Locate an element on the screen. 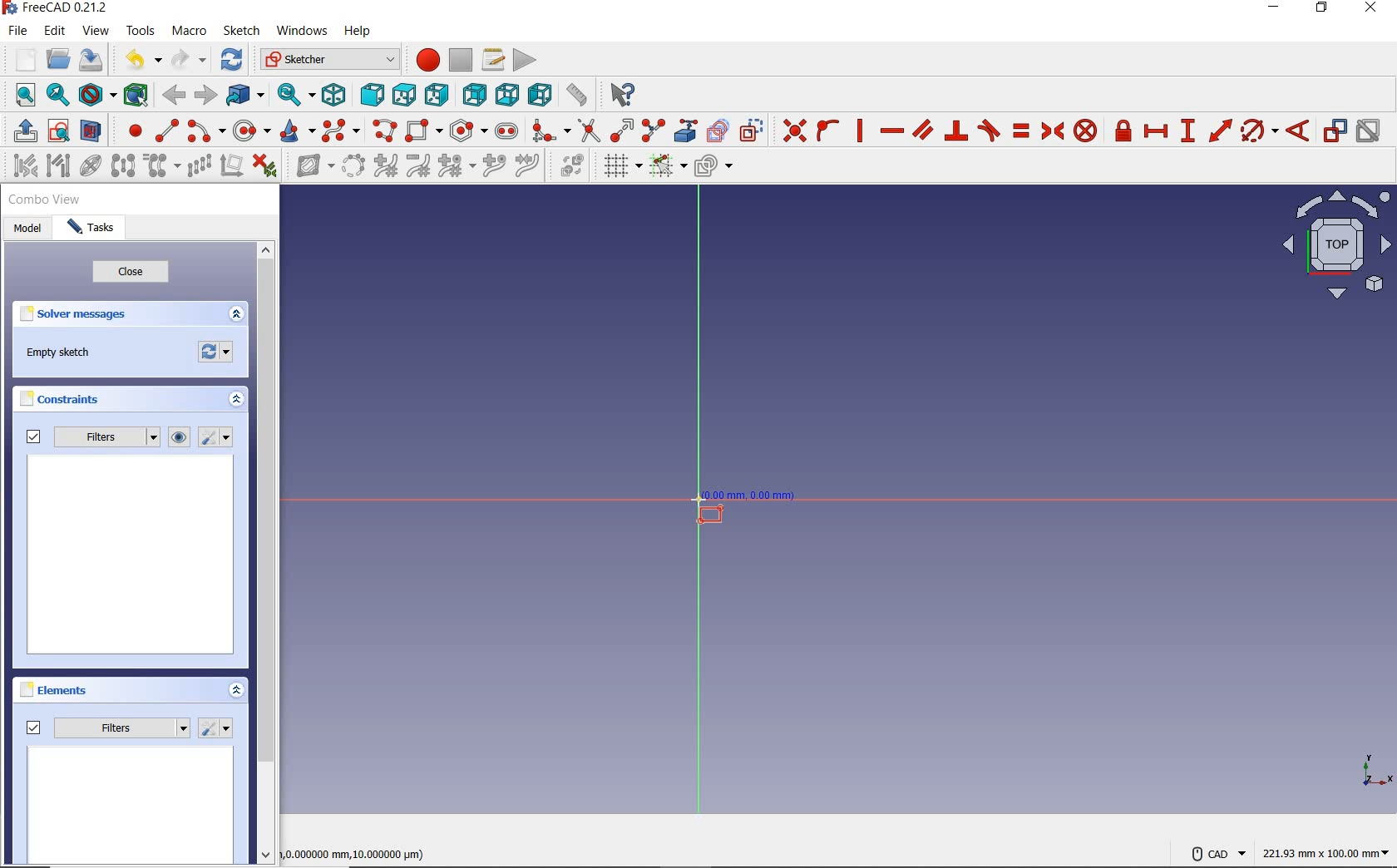 This screenshot has width=1397, height=868. refresh is located at coordinates (231, 60).